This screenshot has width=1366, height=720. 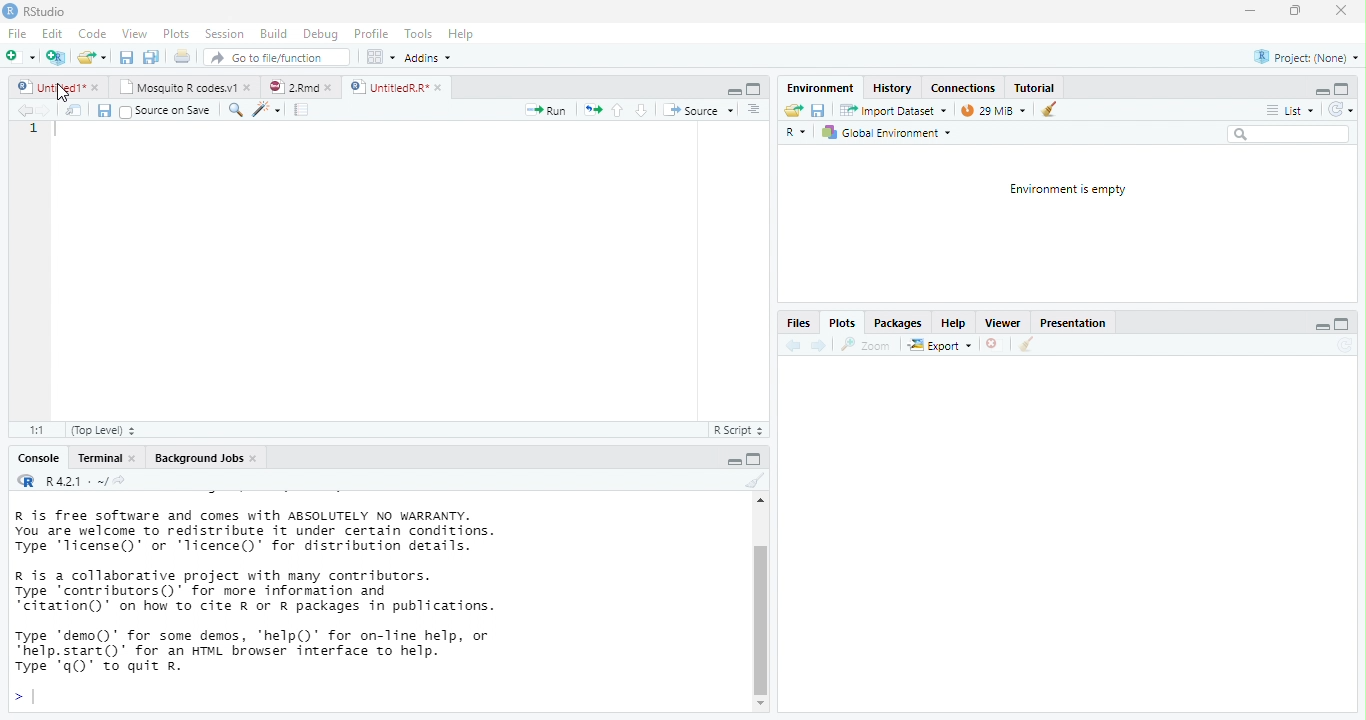 I want to click on Import Dataset, so click(x=895, y=110).